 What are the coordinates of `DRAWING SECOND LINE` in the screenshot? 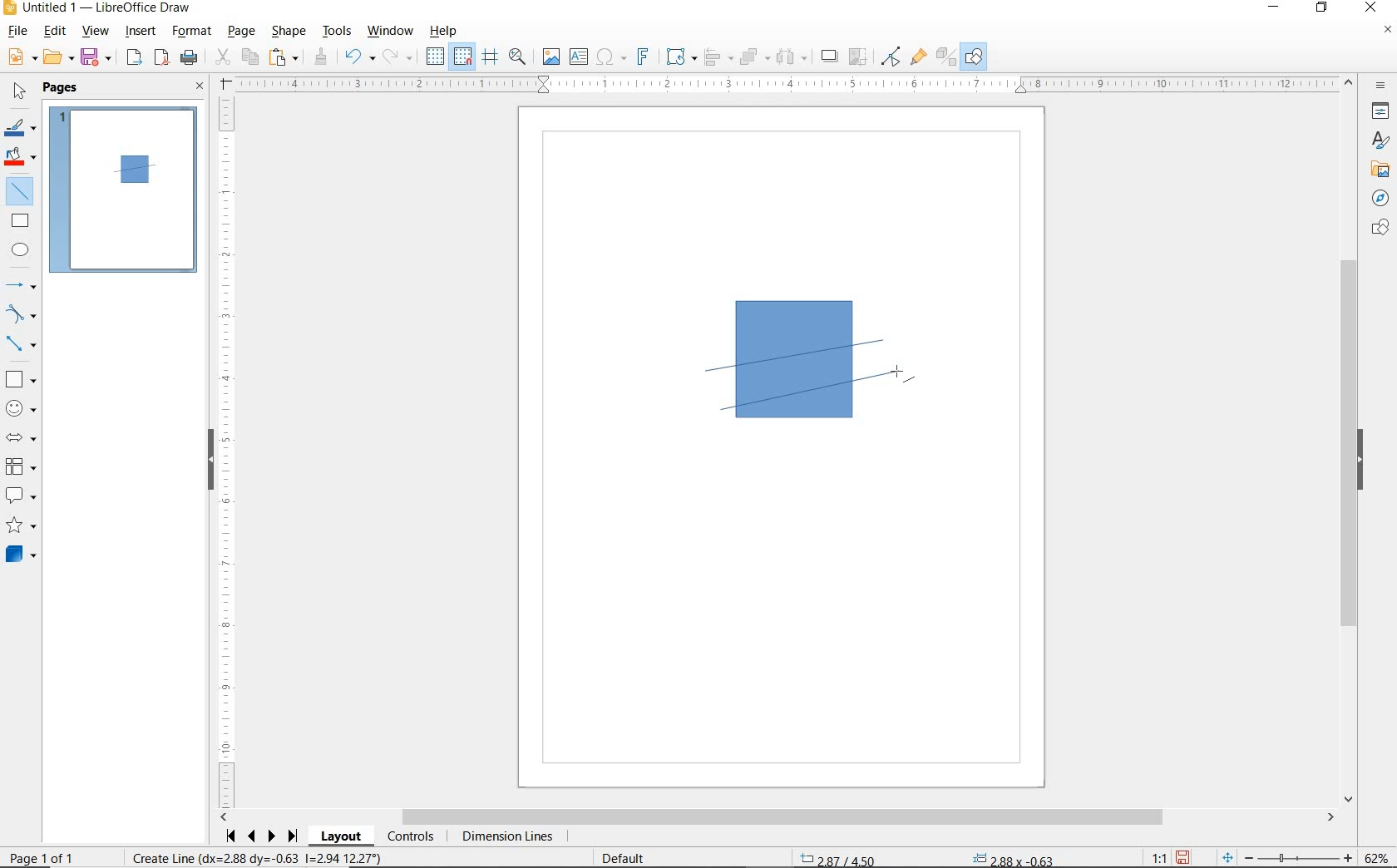 It's located at (813, 389).